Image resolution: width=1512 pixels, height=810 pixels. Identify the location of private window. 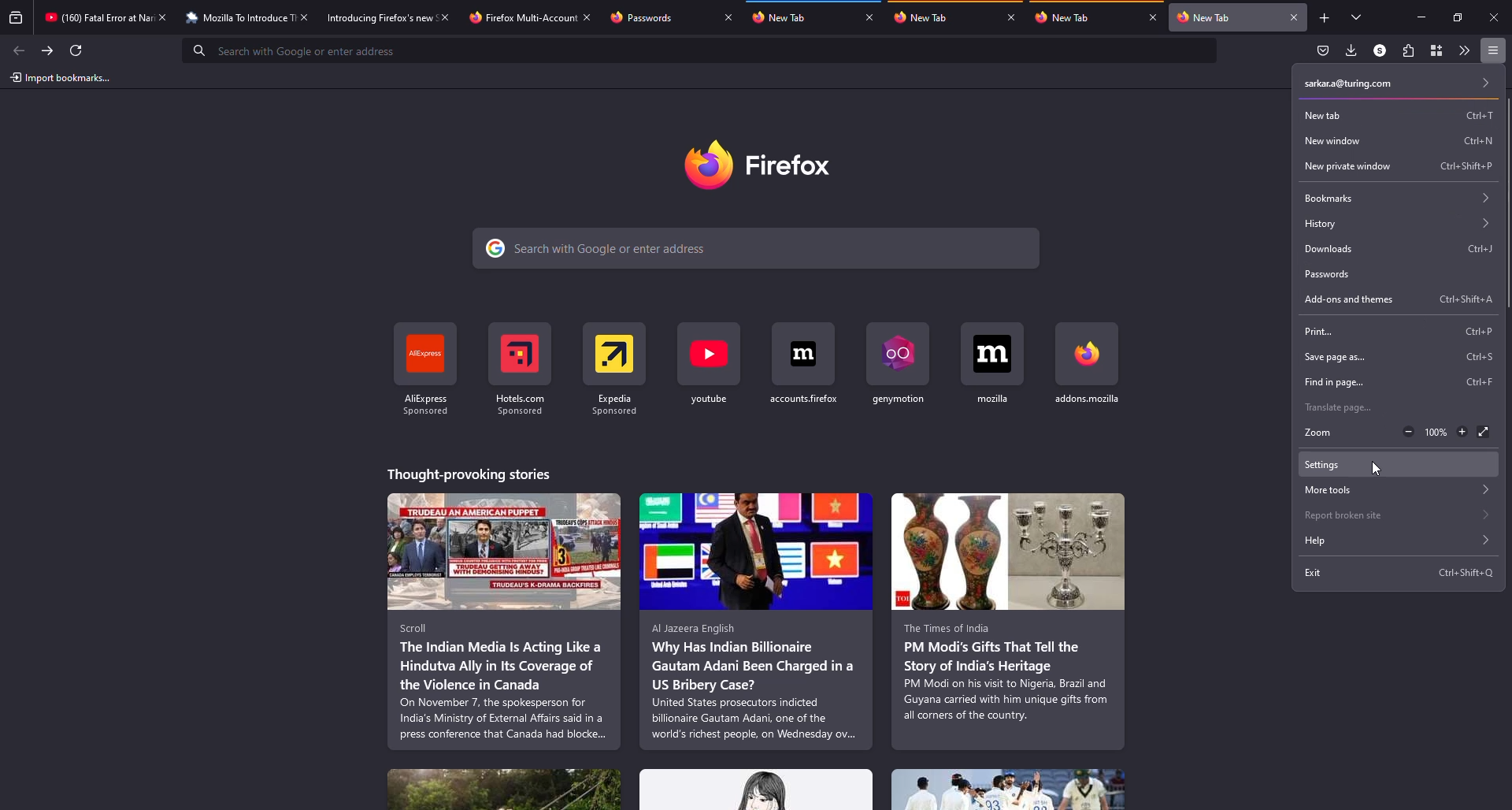
(1397, 166).